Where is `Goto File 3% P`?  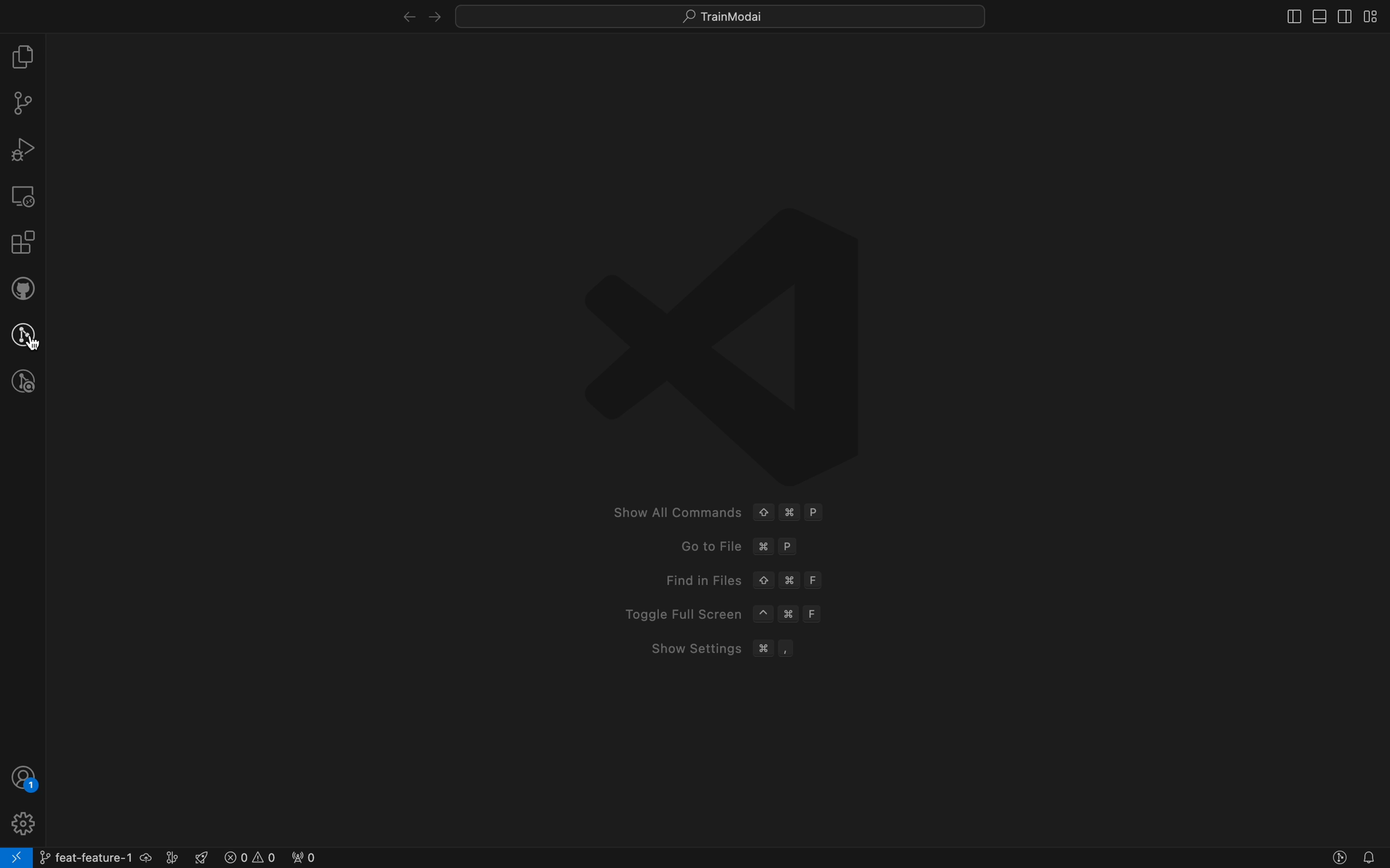 Goto File 3% P is located at coordinates (742, 544).